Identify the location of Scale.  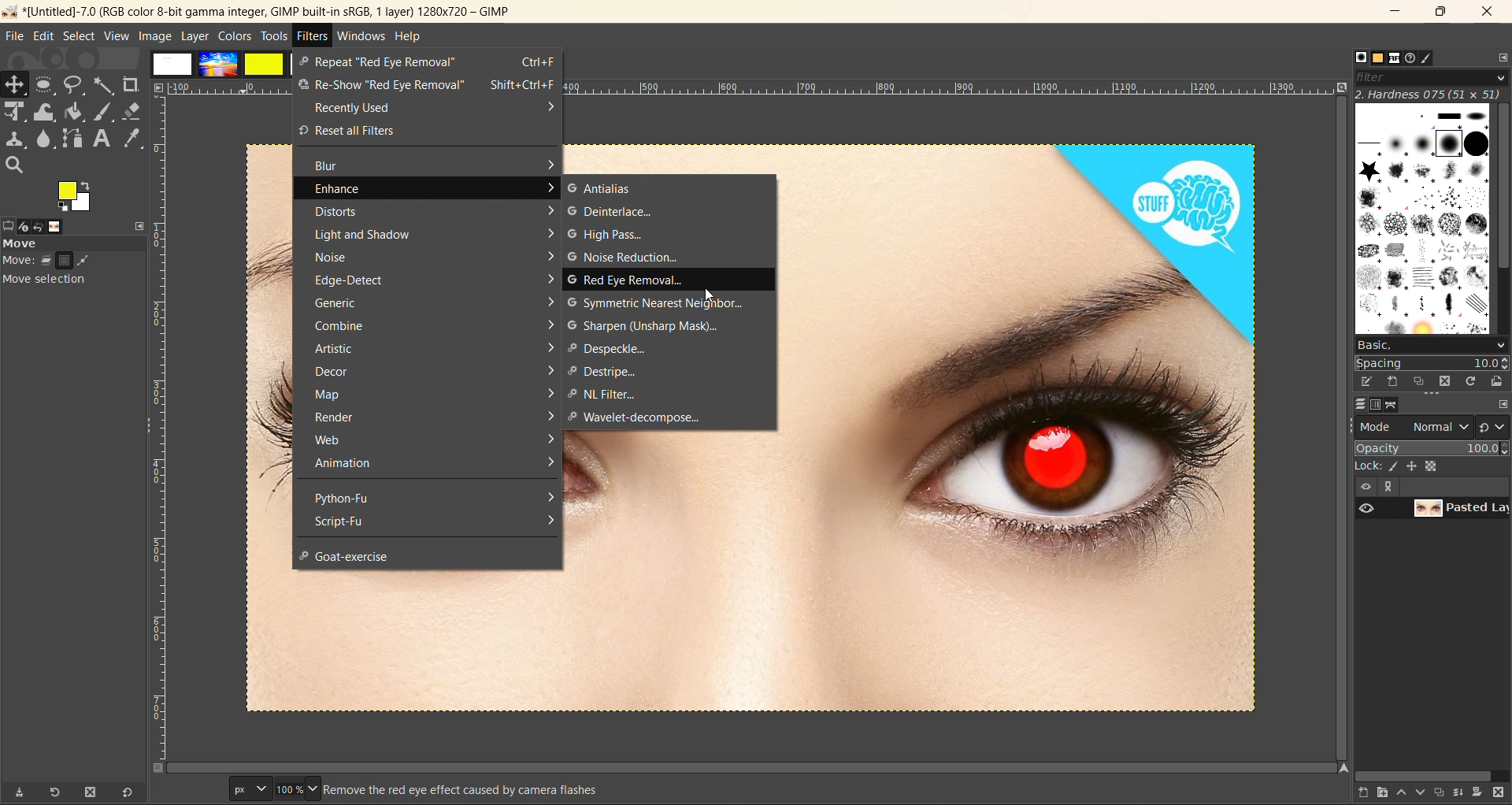
(17, 113).